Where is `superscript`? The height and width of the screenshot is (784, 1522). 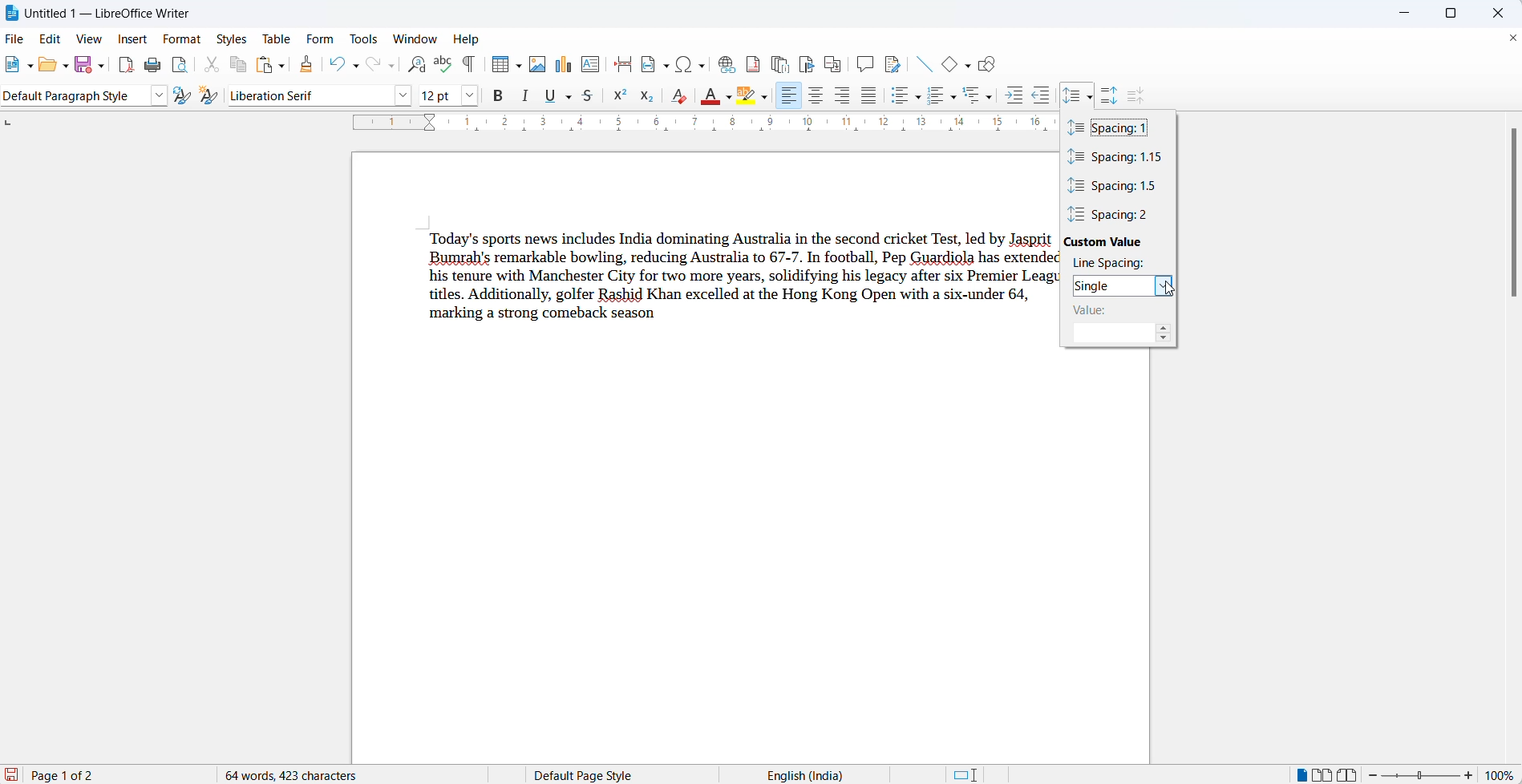
superscript is located at coordinates (622, 95).